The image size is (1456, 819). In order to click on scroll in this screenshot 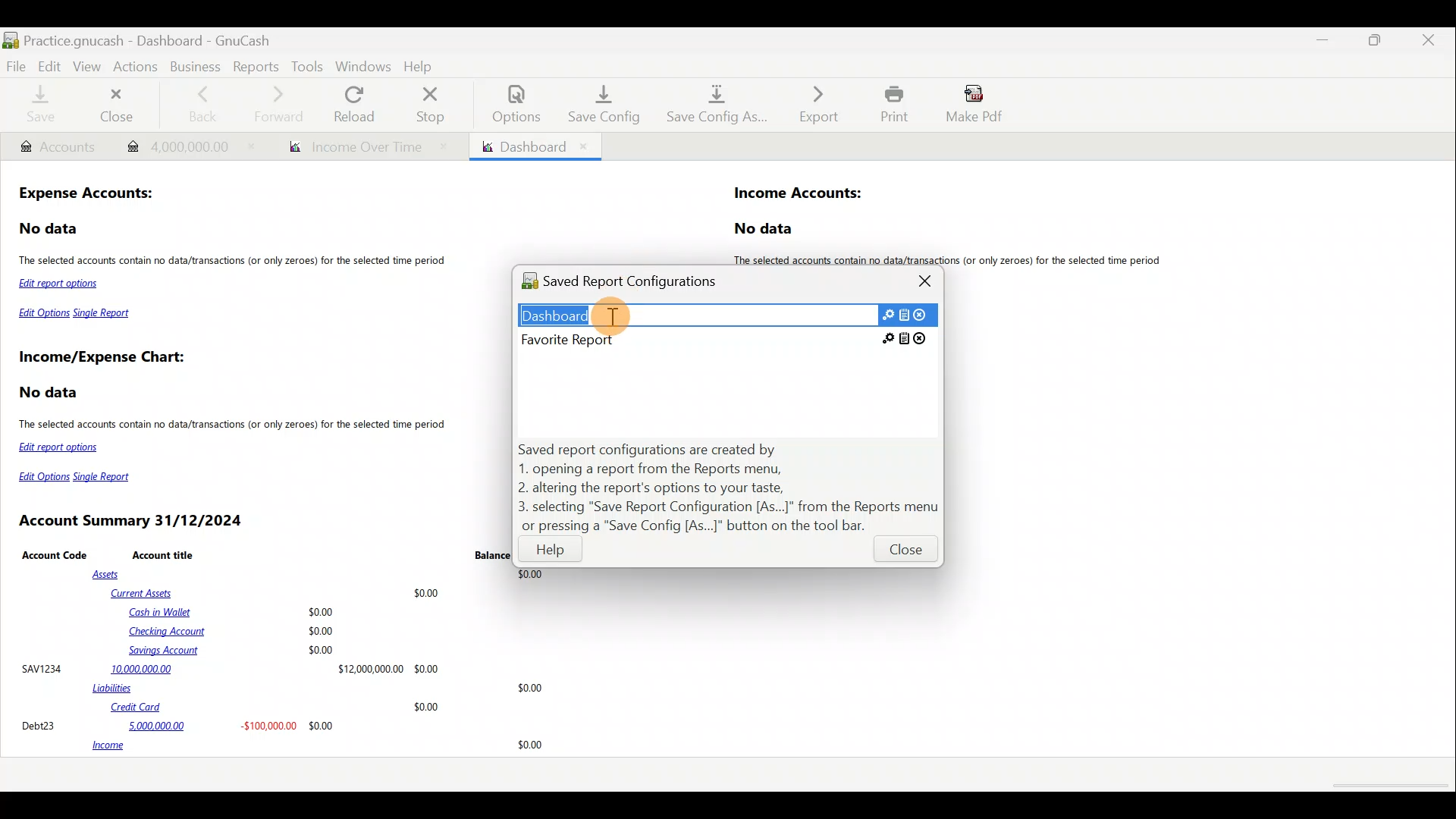, I will do `click(1388, 786)`.